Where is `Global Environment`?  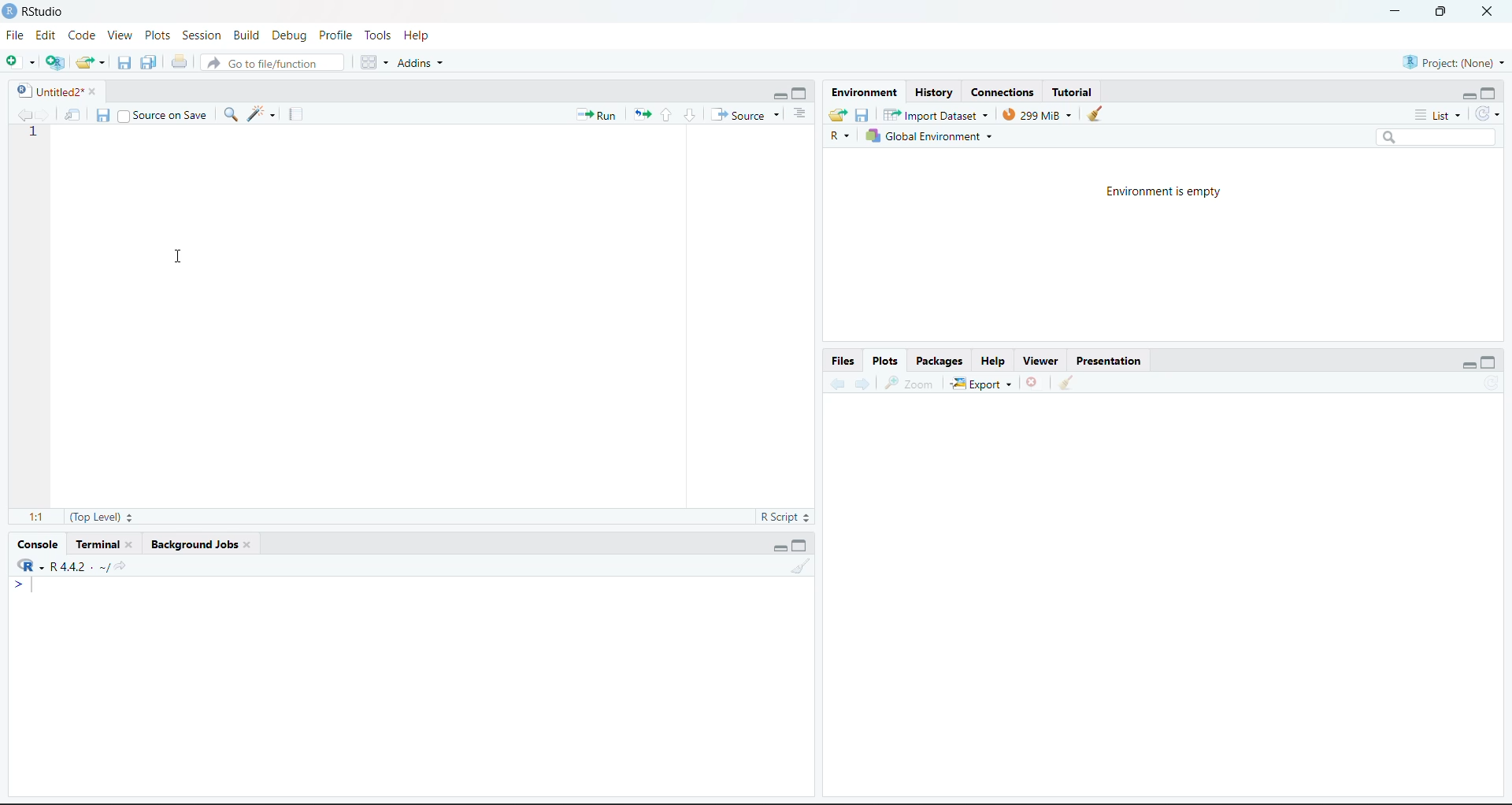 Global Environment is located at coordinates (928, 135).